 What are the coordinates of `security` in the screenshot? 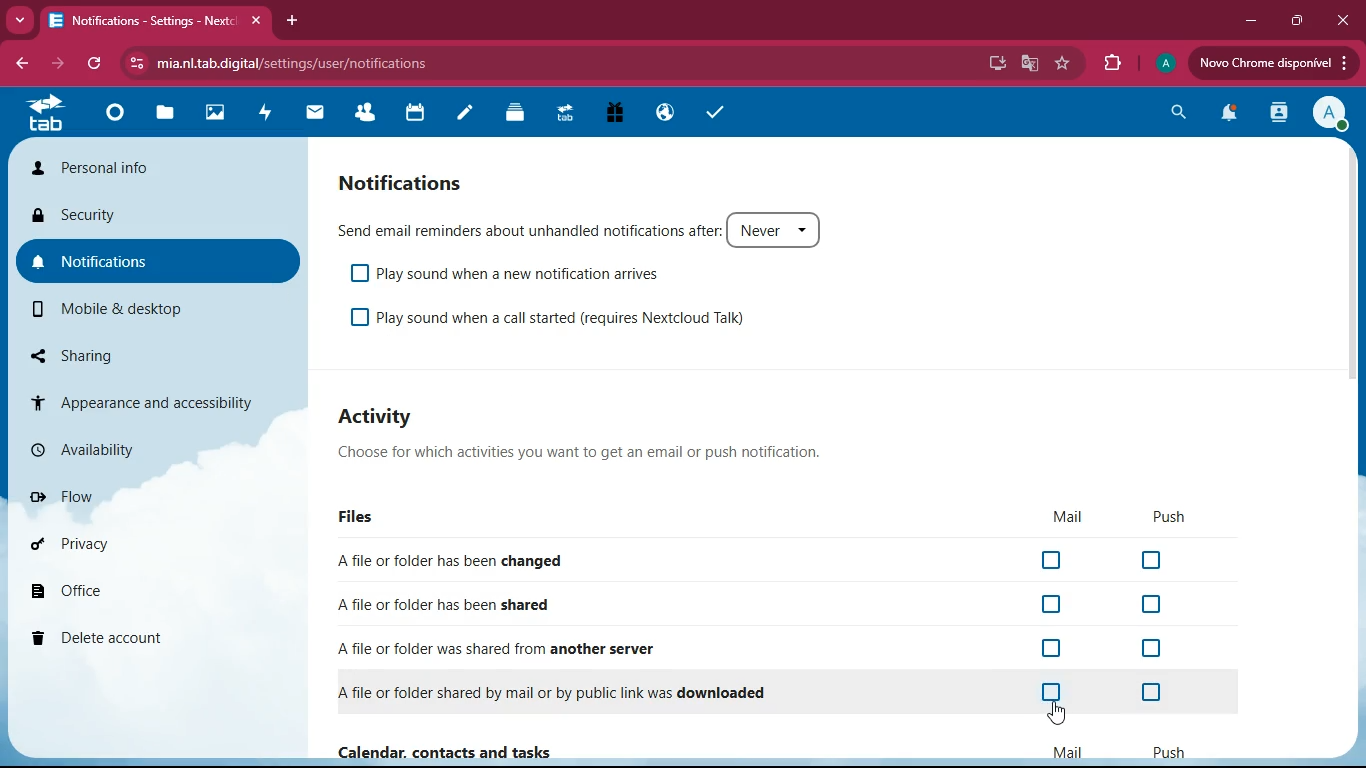 It's located at (155, 212).